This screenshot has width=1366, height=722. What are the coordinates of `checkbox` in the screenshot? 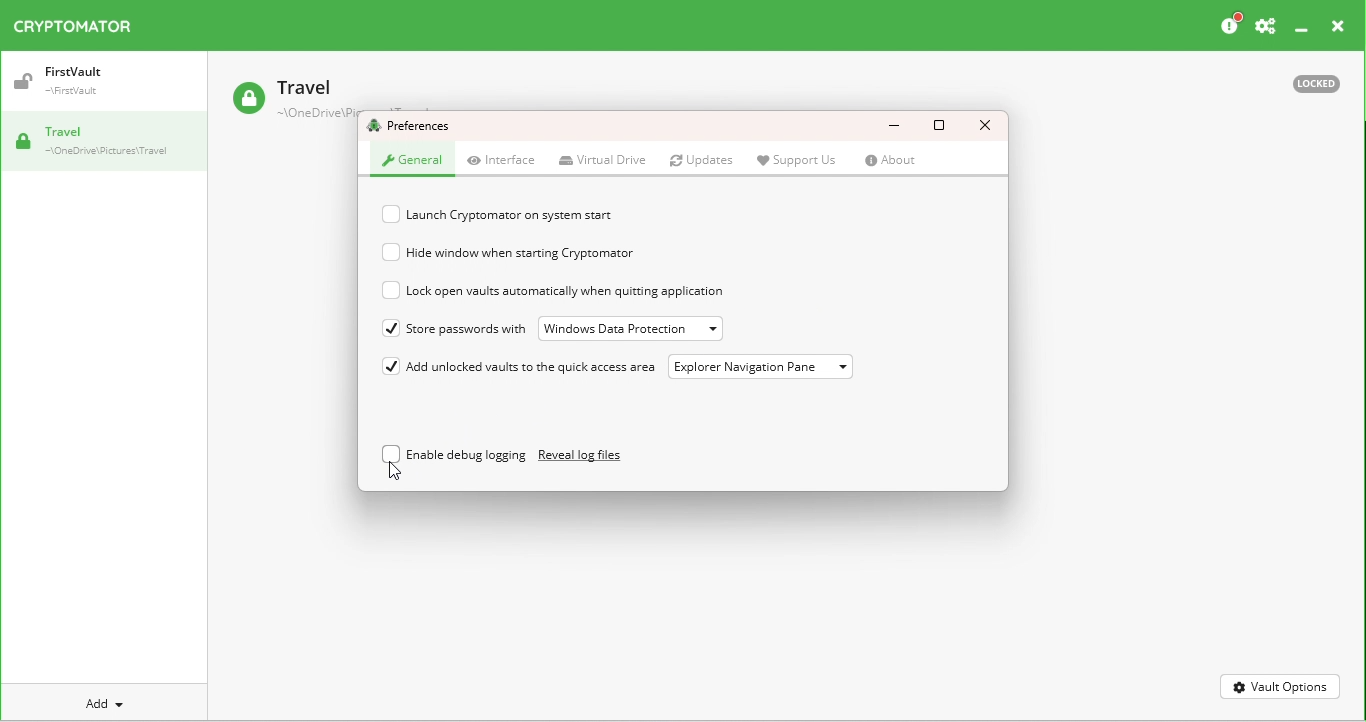 It's located at (392, 332).